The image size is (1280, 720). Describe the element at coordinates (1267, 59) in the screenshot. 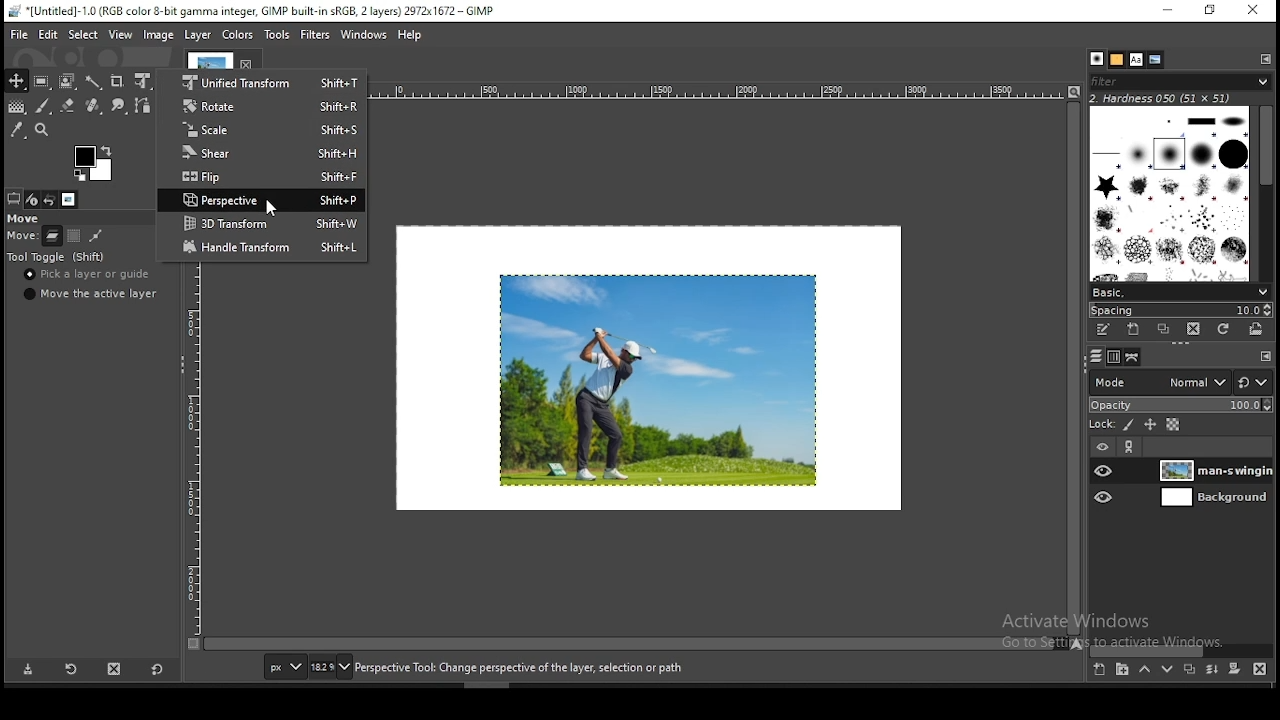

I see `configure this tab` at that location.